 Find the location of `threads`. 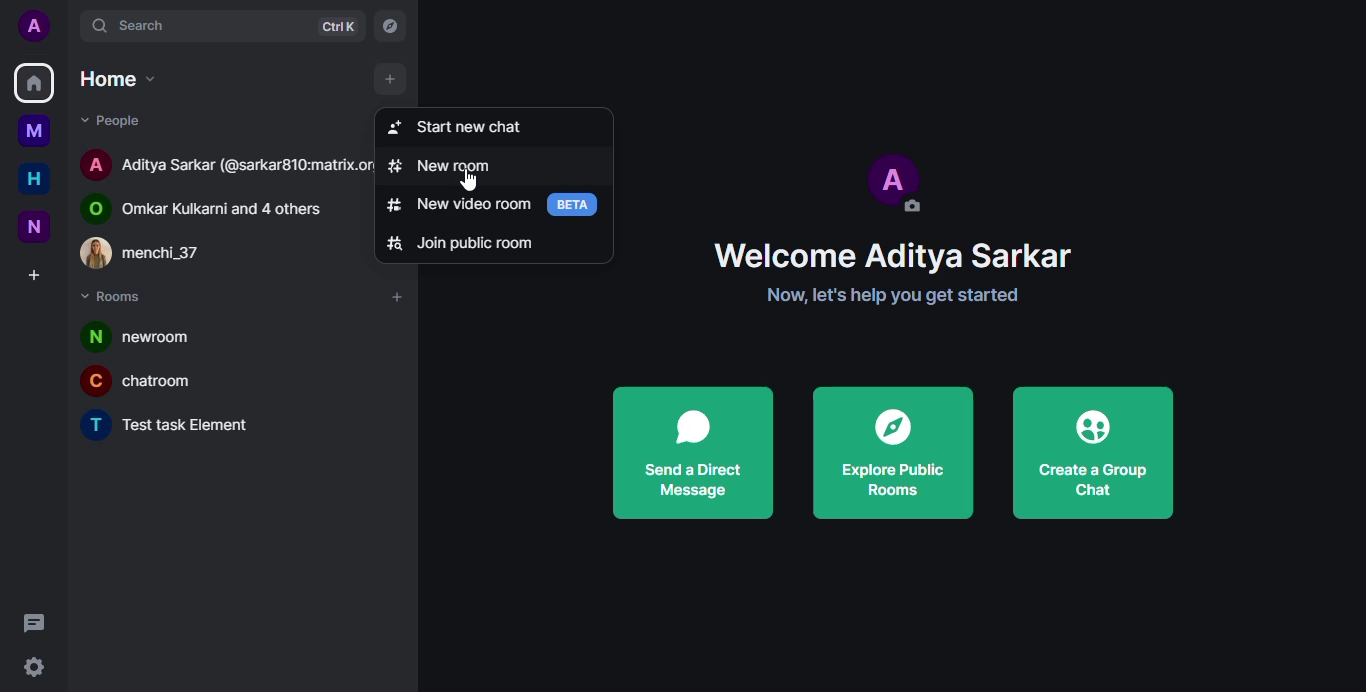

threads is located at coordinates (34, 623).